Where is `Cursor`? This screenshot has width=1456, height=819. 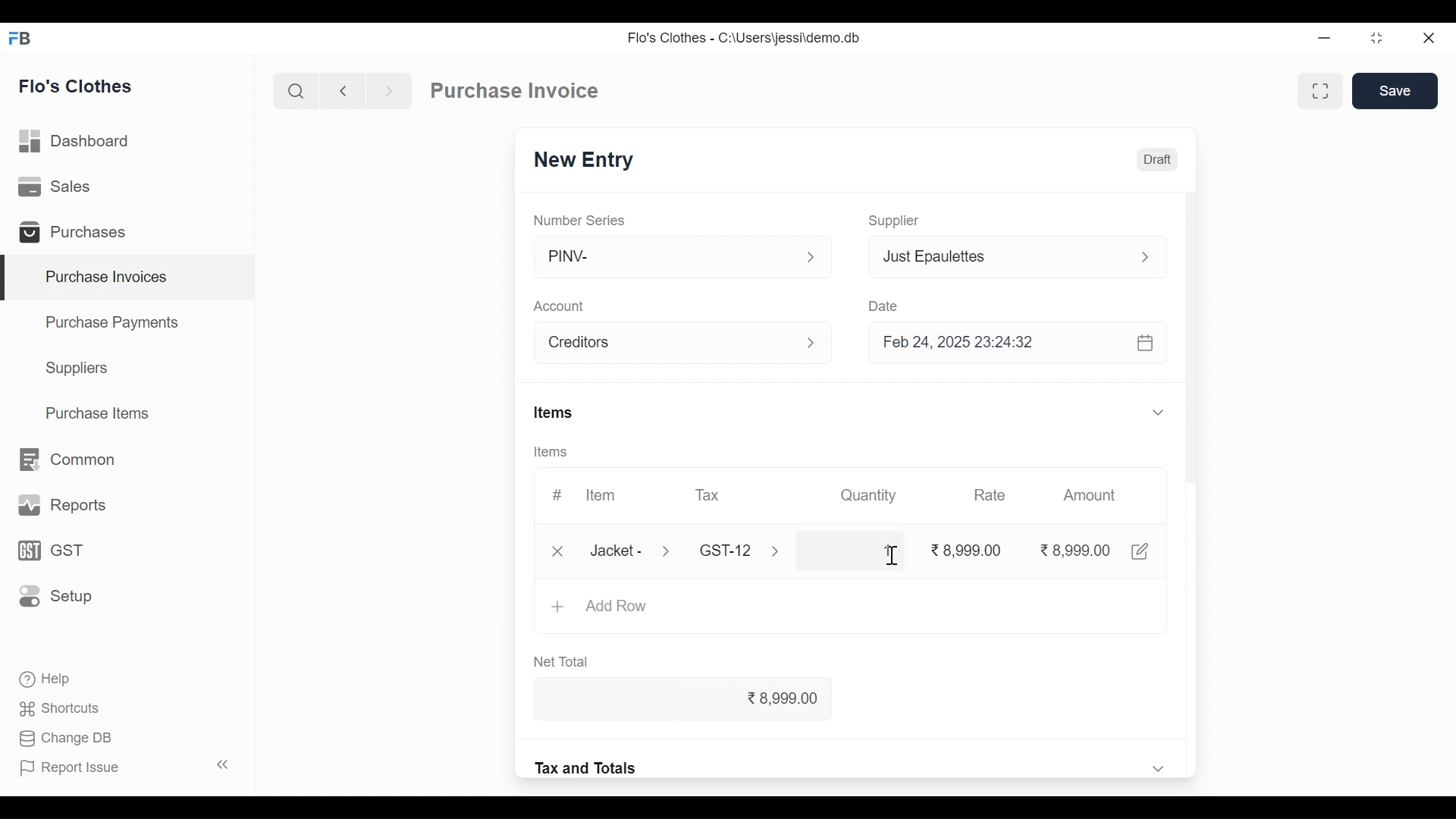
Cursor is located at coordinates (890, 556).